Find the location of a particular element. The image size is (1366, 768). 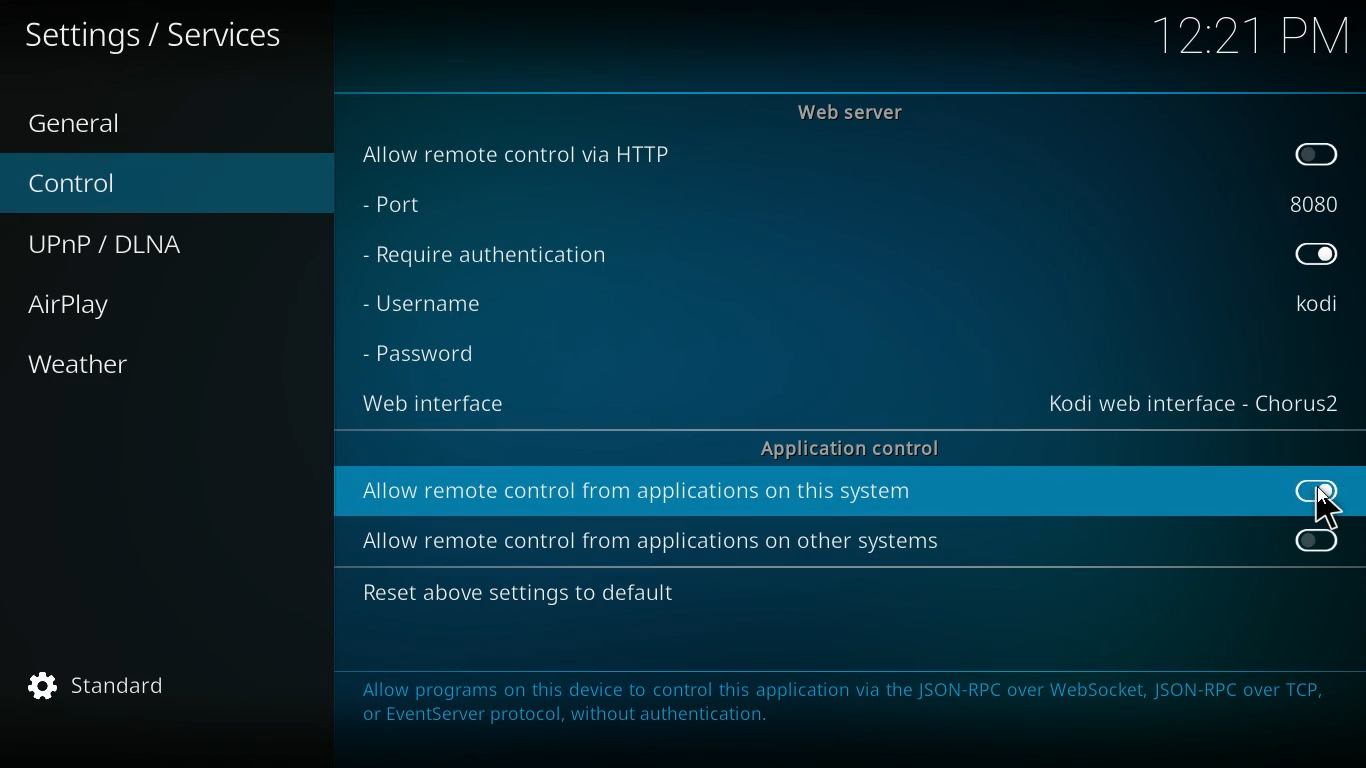

time is located at coordinates (1251, 33).